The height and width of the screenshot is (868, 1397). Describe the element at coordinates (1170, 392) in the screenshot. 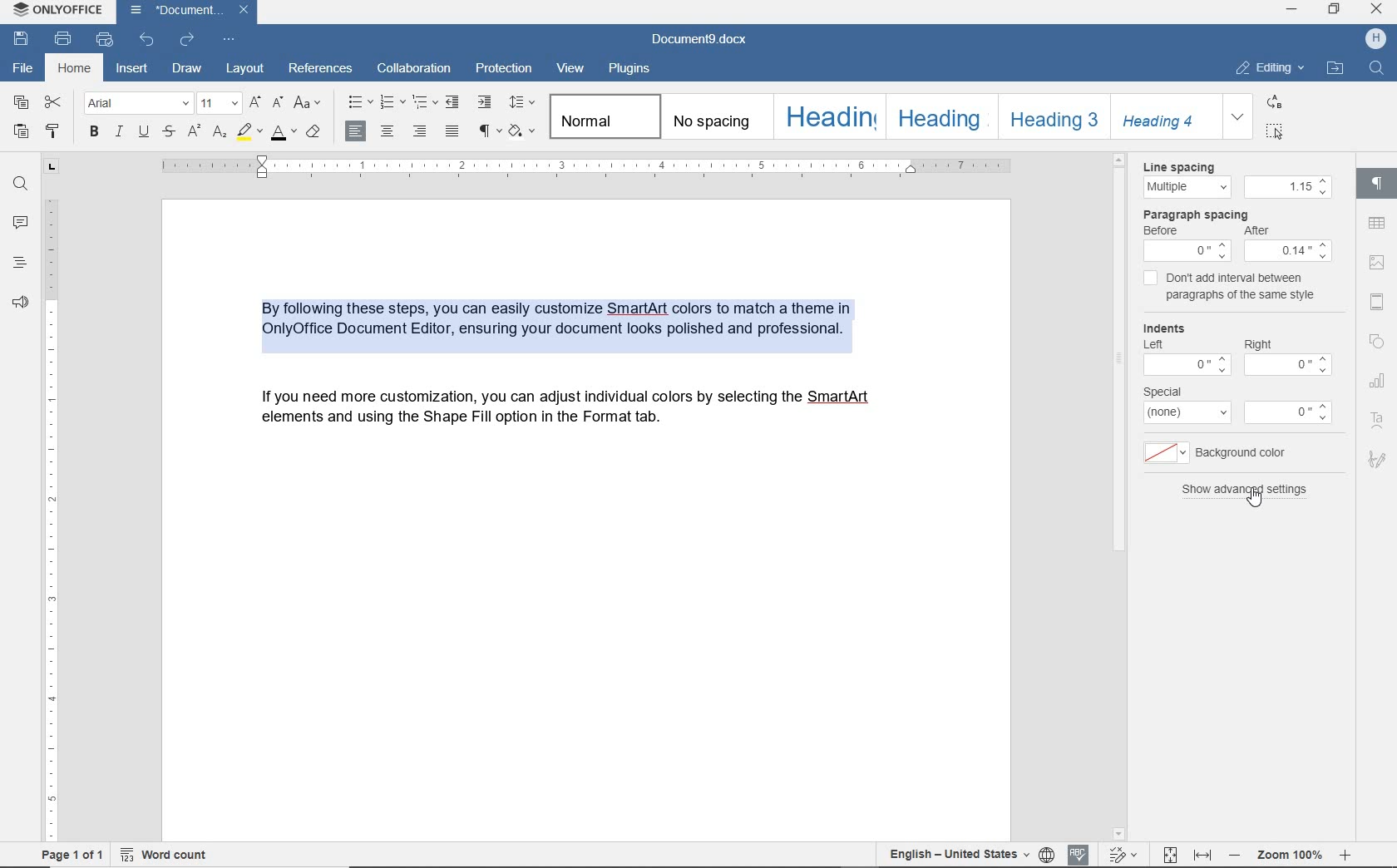

I see `special` at that location.